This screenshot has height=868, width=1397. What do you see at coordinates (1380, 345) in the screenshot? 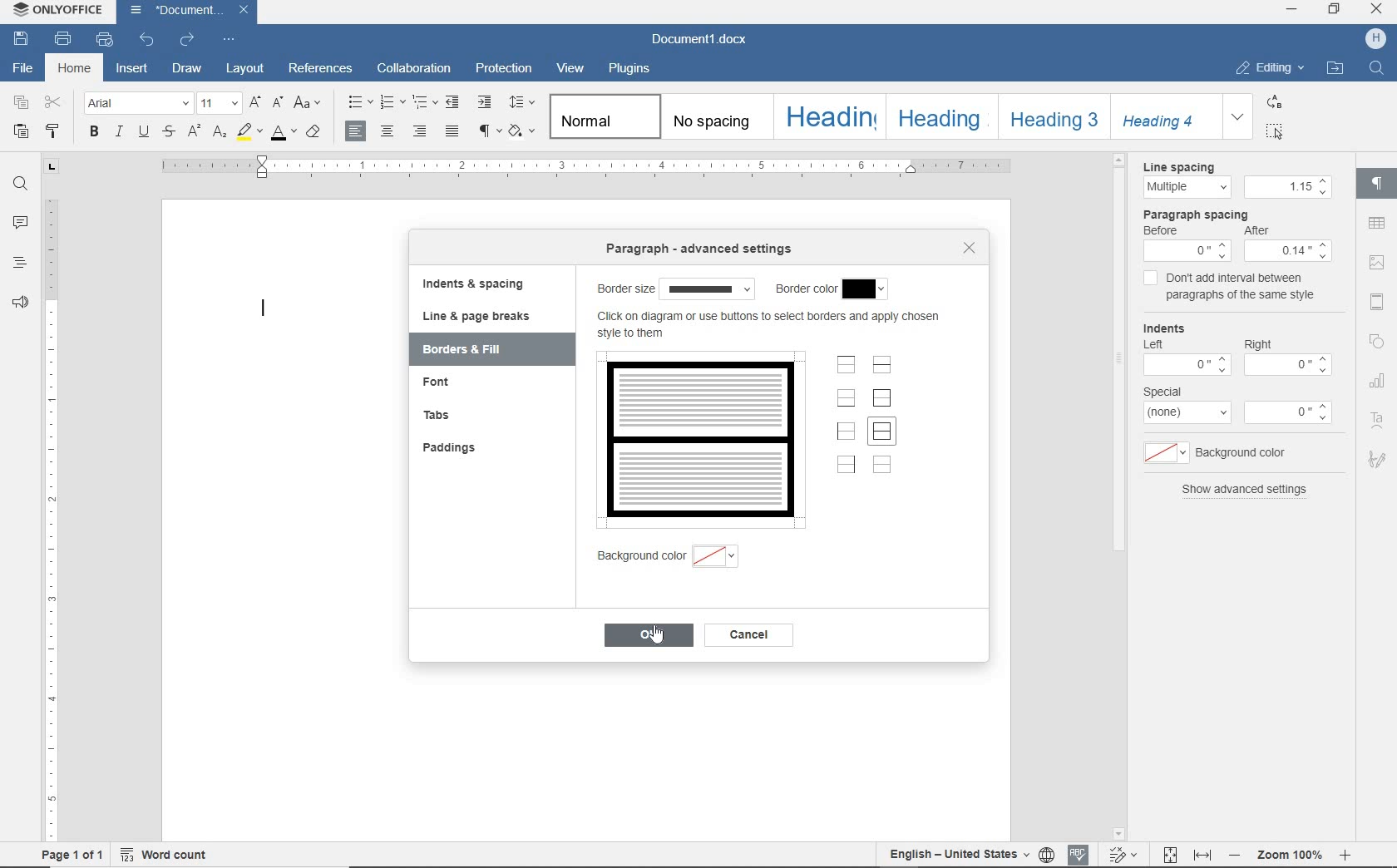
I see `Shapes` at bounding box center [1380, 345].